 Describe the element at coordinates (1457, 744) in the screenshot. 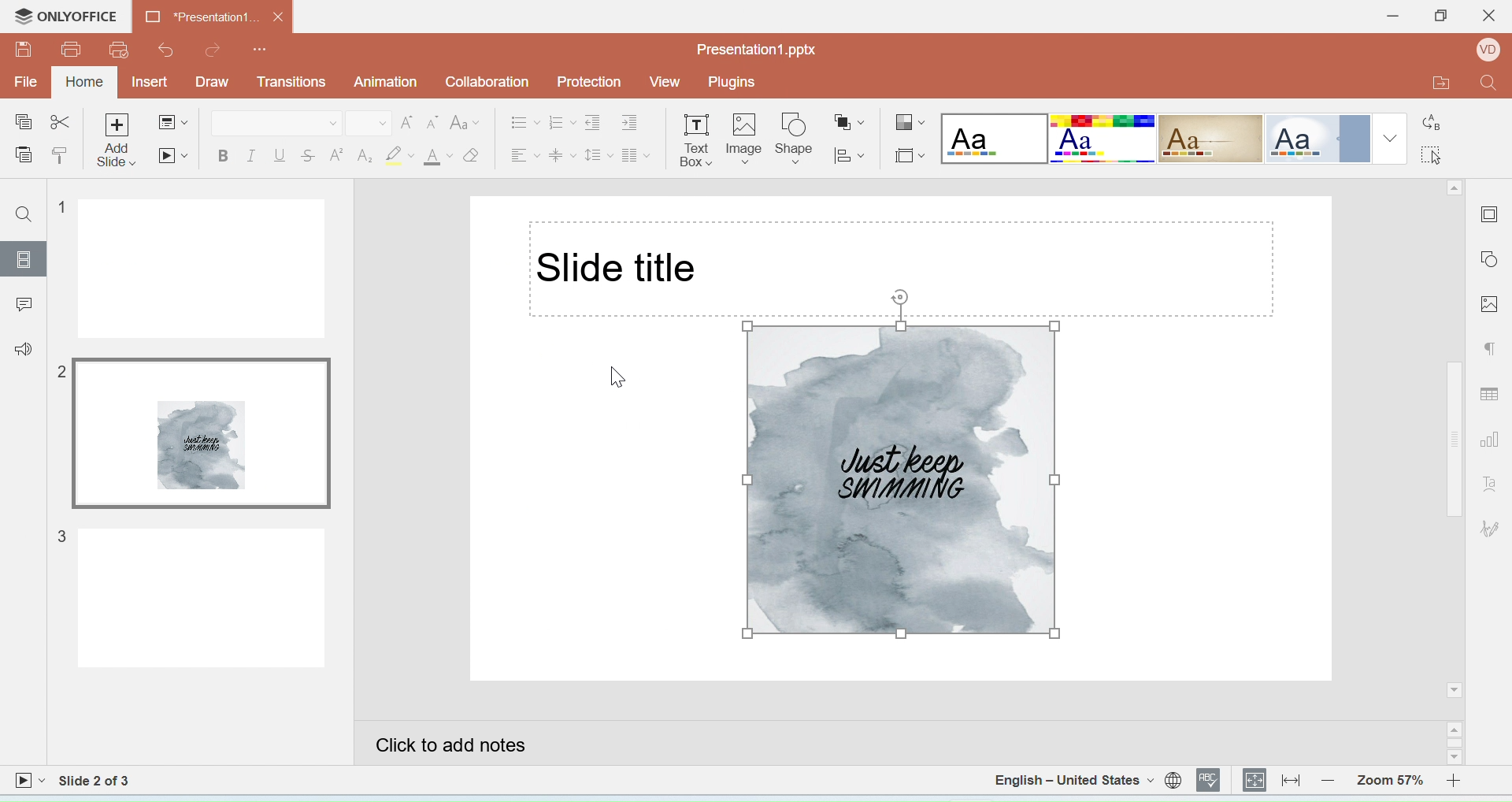

I see `Scroll bar` at that location.